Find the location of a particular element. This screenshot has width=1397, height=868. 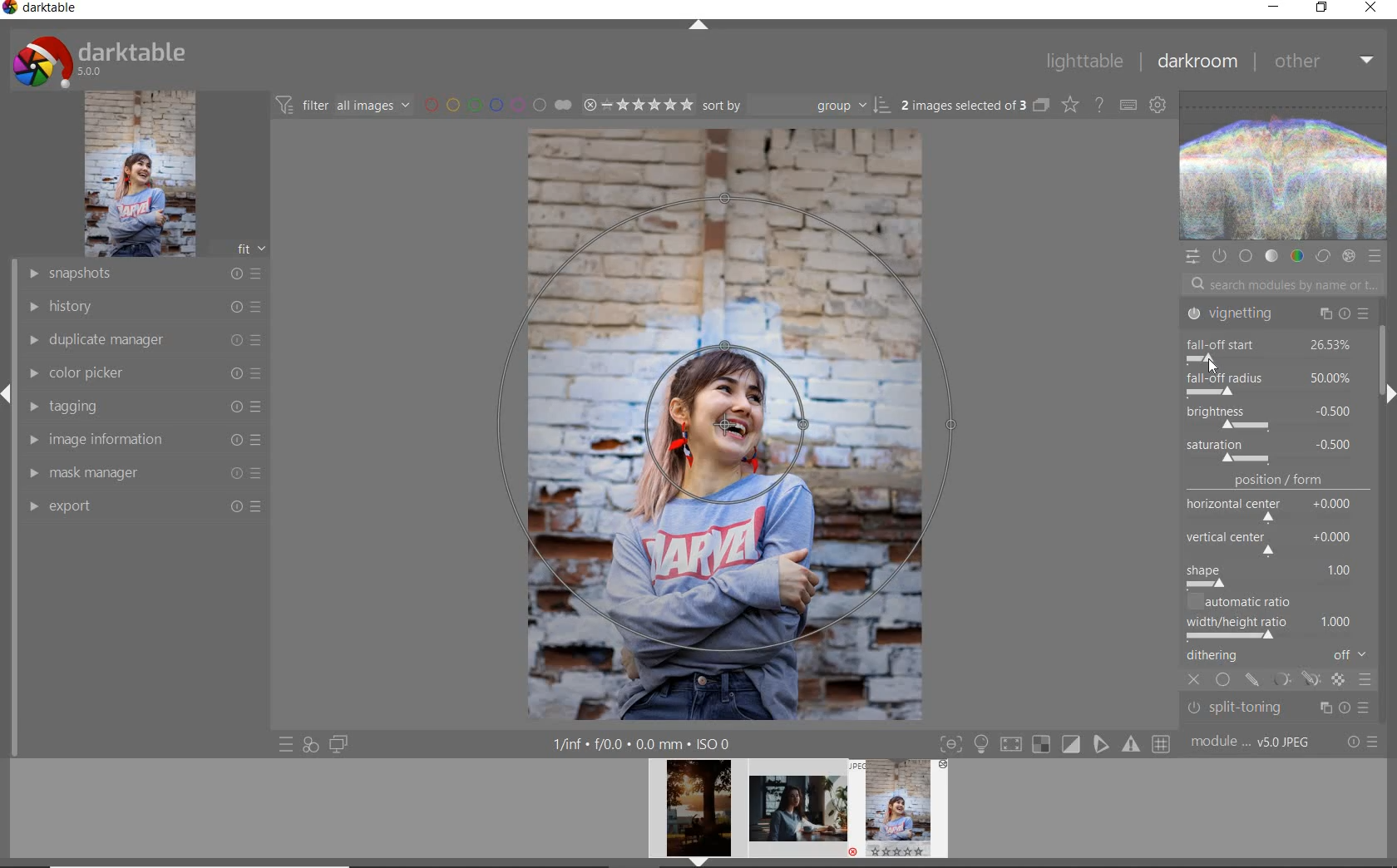

tone is located at coordinates (1272, 257).